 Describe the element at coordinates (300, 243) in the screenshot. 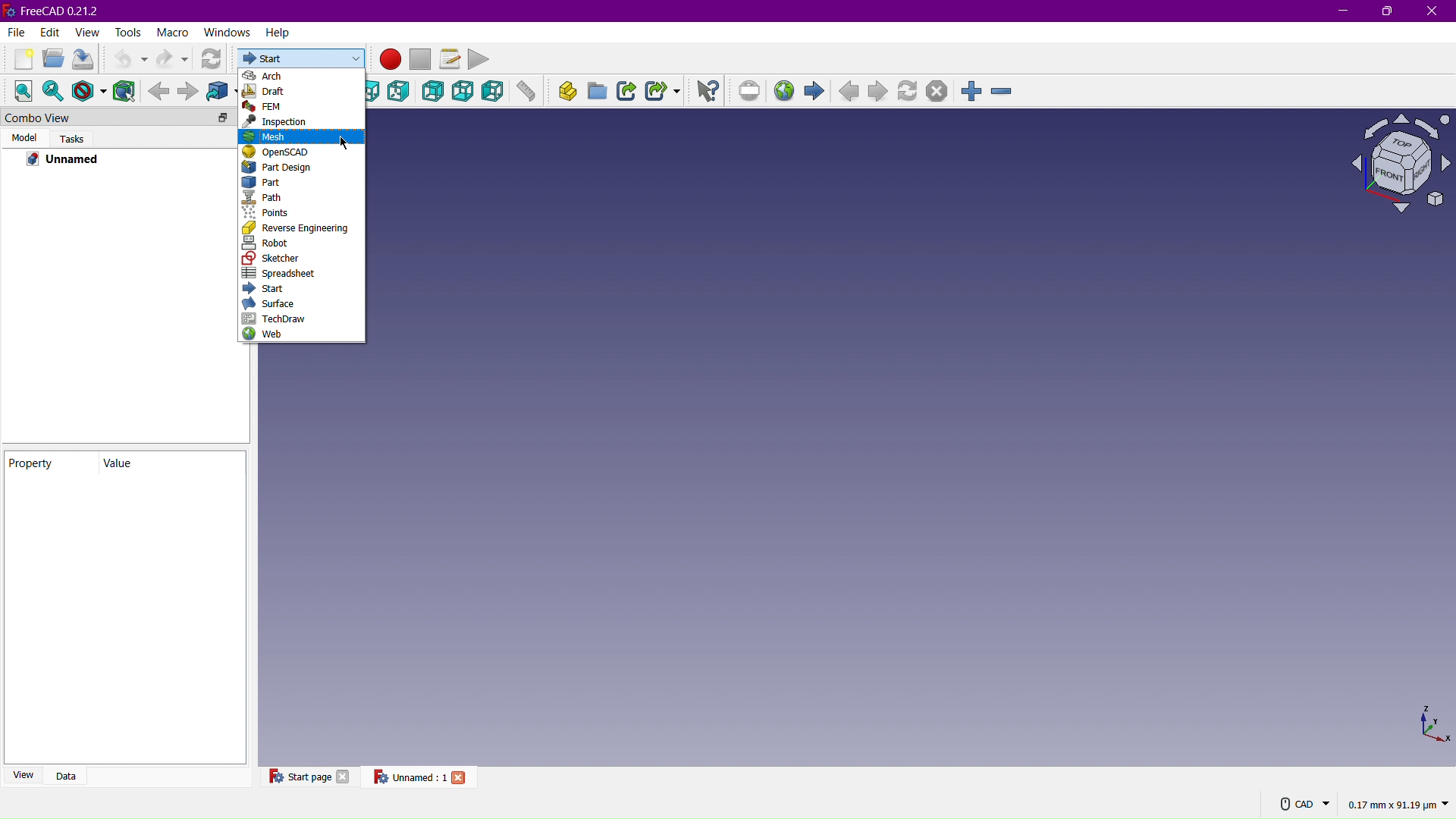

I see `Robot` at that location.